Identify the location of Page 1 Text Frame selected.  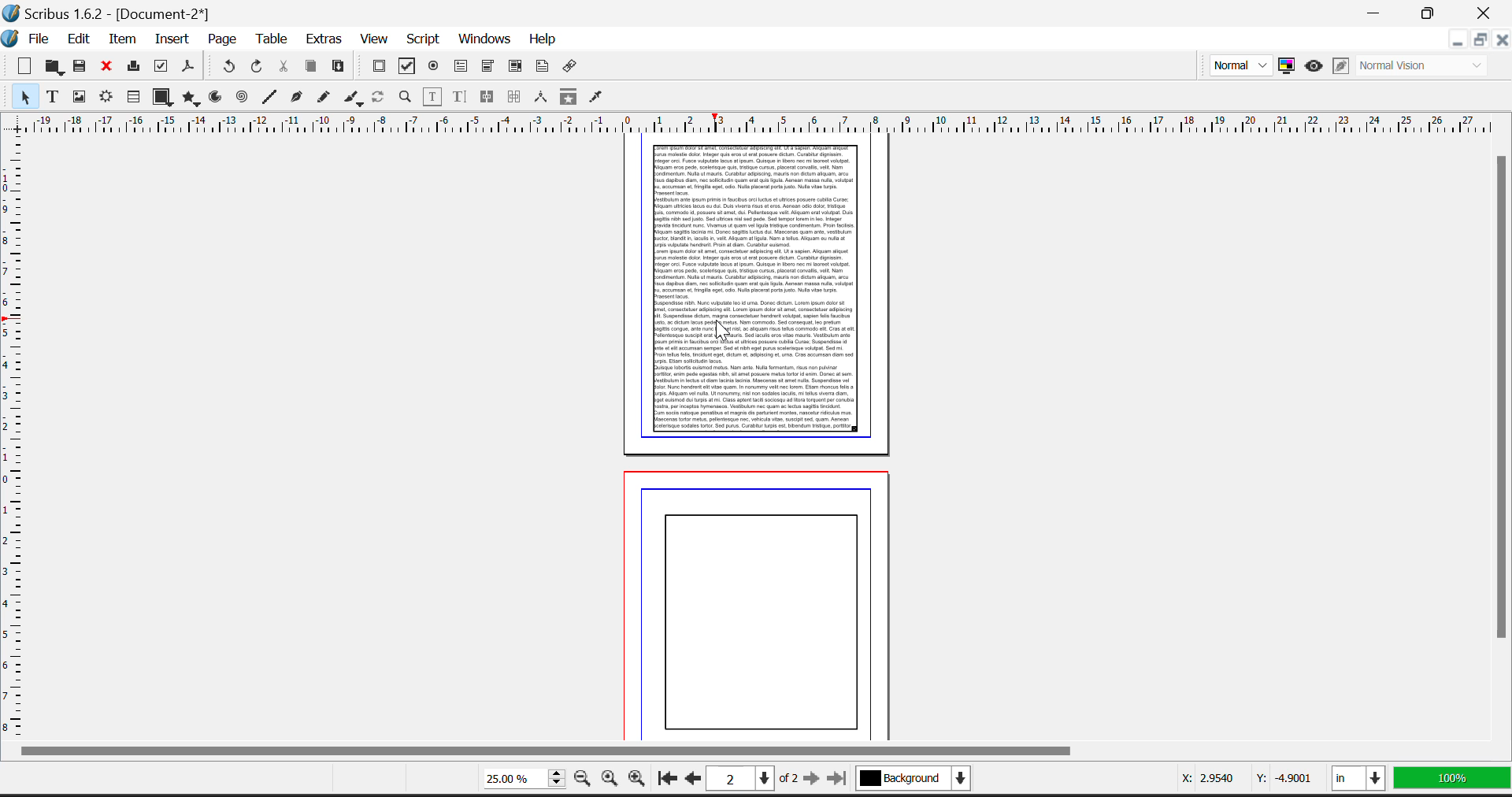
(754, 293).